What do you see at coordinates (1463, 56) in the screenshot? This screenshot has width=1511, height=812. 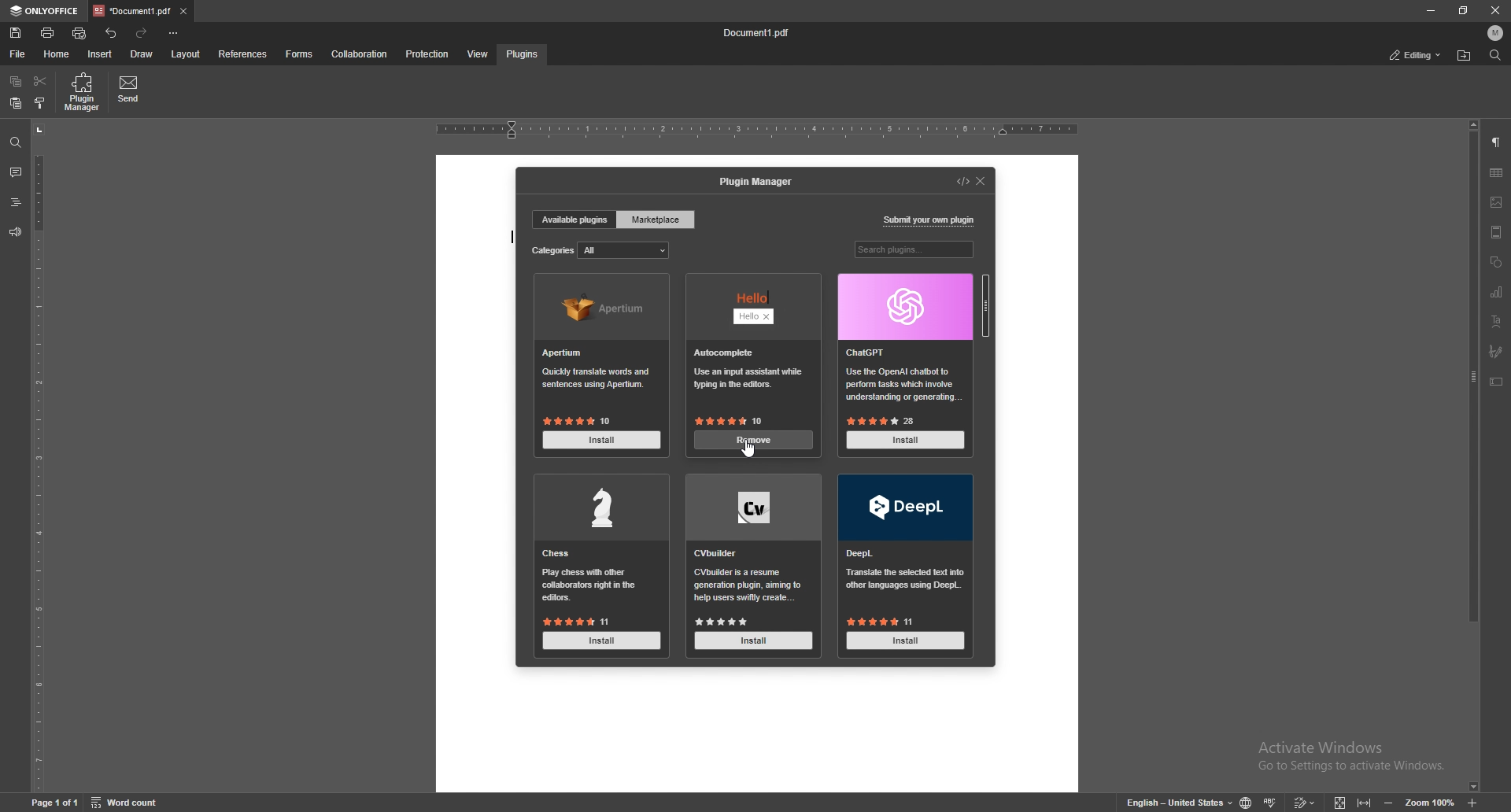 I see `locate file` at bounding box center [1463, 56].